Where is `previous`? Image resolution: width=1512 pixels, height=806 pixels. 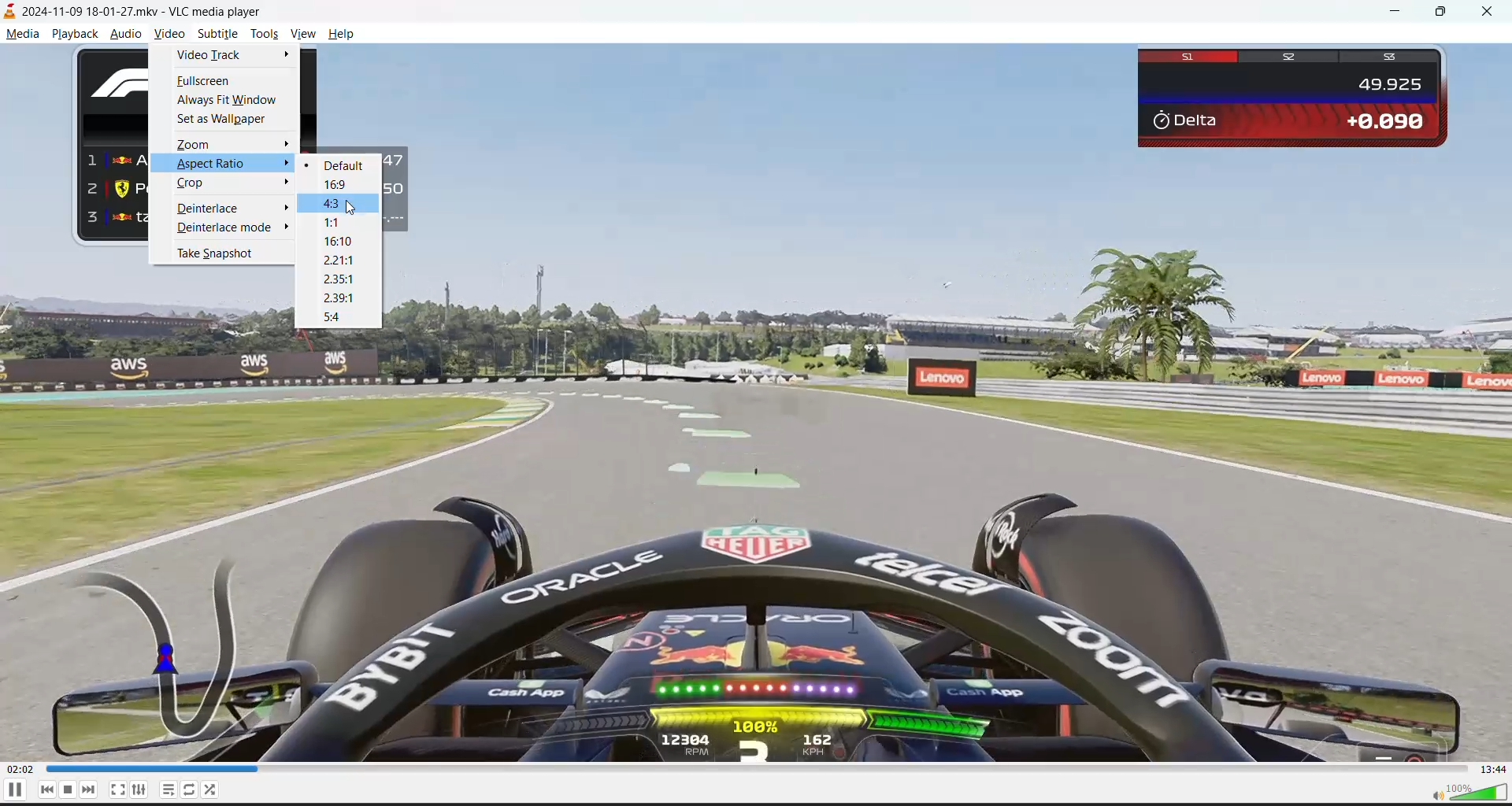
previous is located at coordinates (45, 789).